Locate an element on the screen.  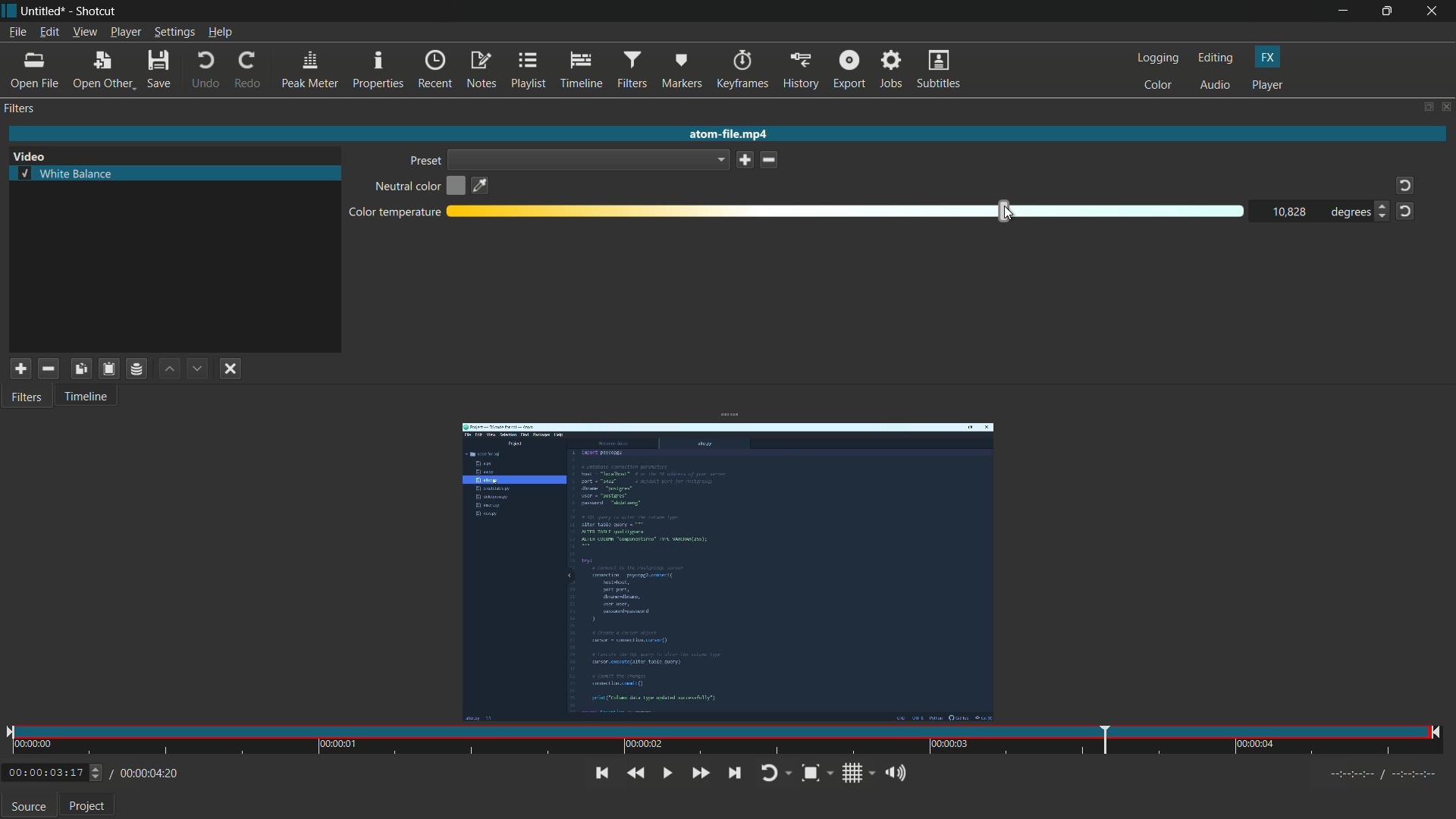
settings menu is located at coordinates (174, 32).